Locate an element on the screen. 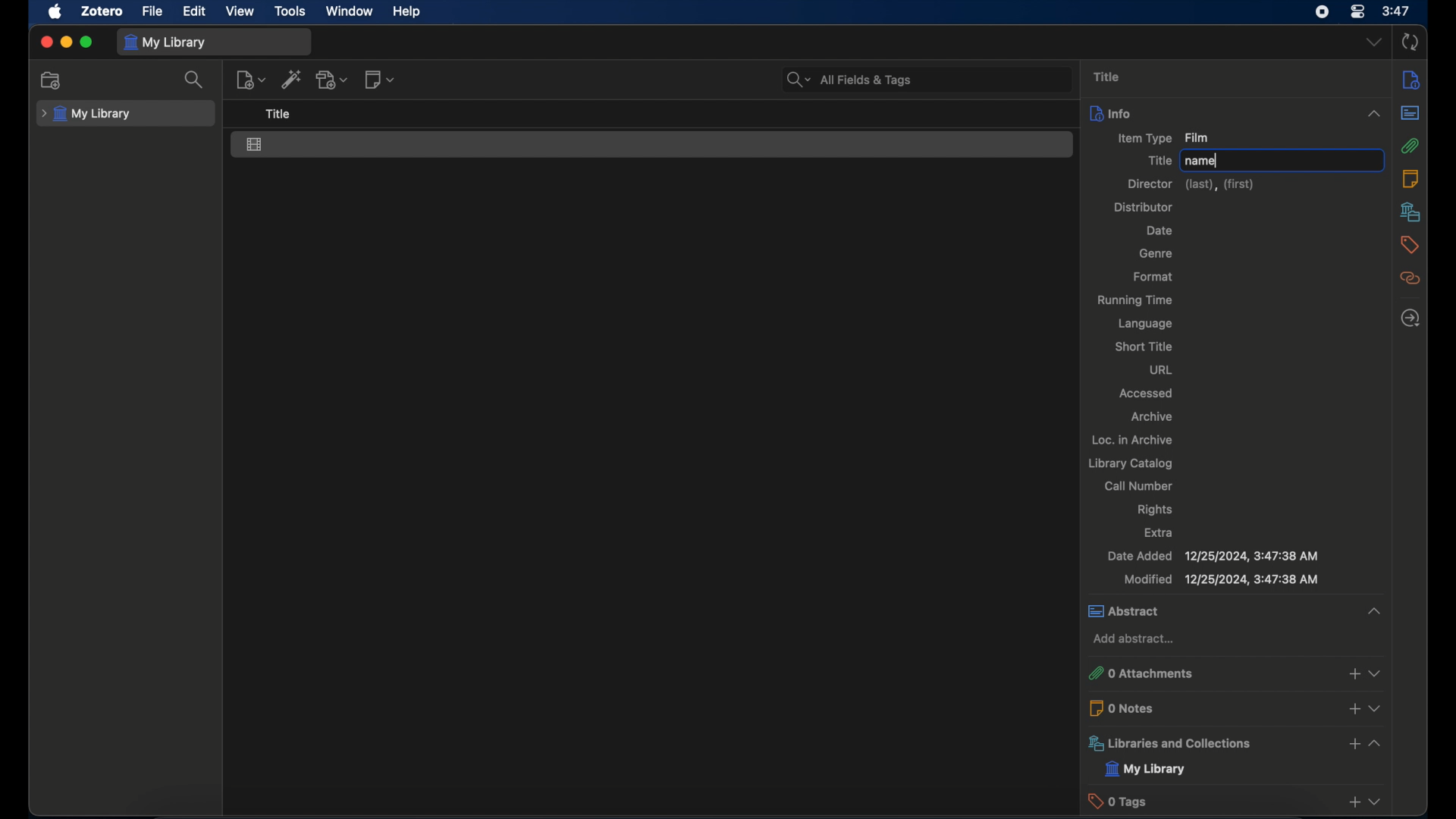 The width and height of the screenshot is (1456, 819). abstract is located at coordinates (1233, 611).